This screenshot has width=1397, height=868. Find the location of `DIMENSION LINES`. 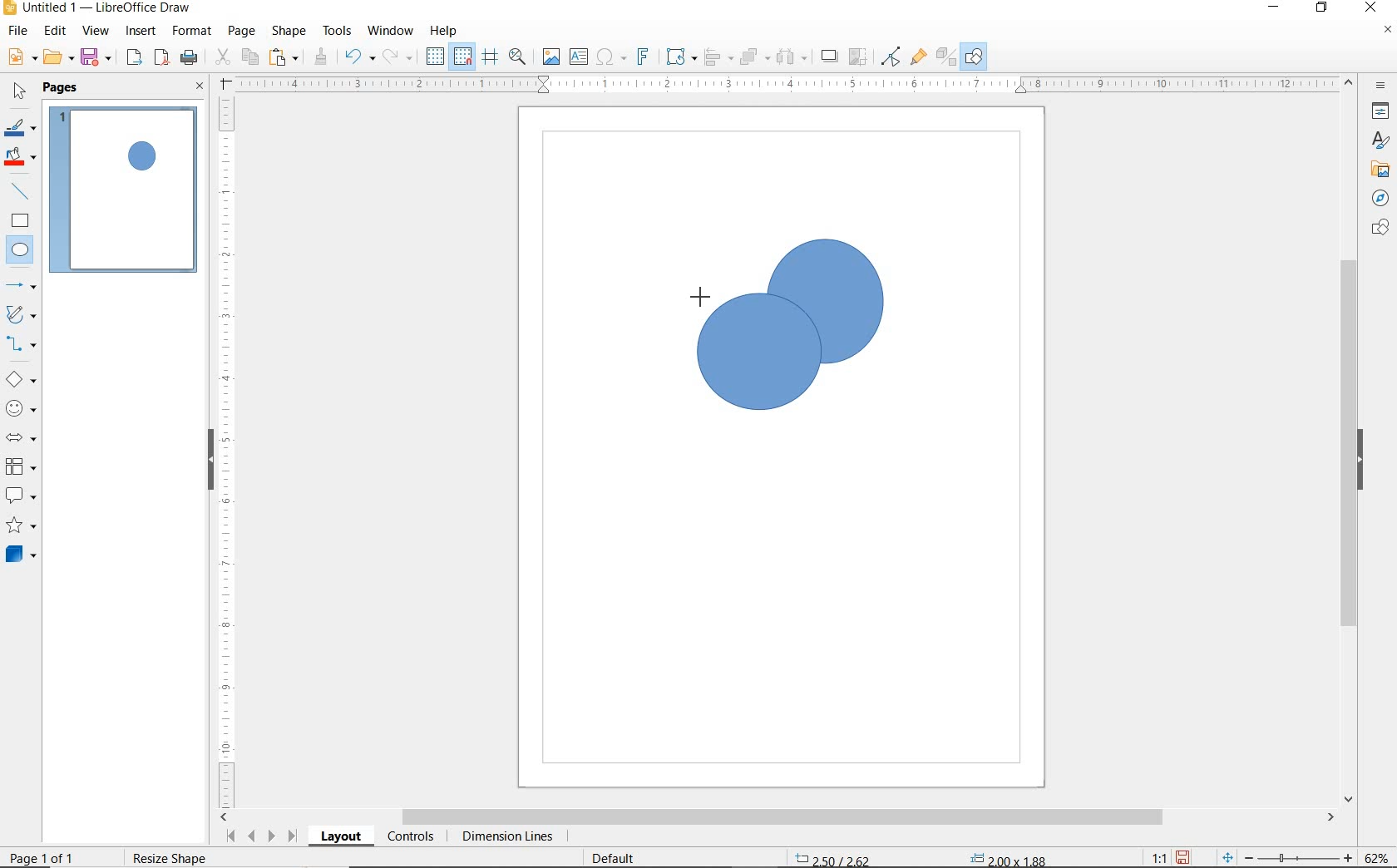

DIMENSION LINES is located at coordinates (505, 838).